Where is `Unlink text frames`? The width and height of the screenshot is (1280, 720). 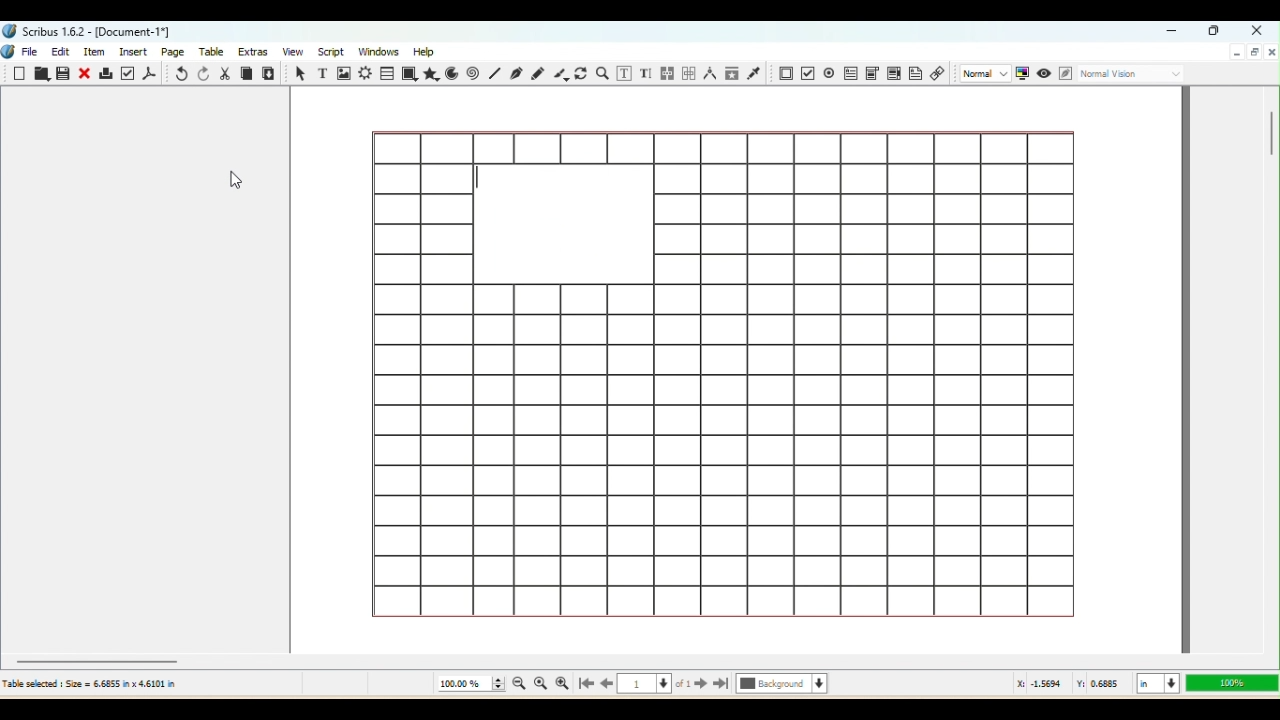
Unlink text frames is located at coordinates (687, 72).